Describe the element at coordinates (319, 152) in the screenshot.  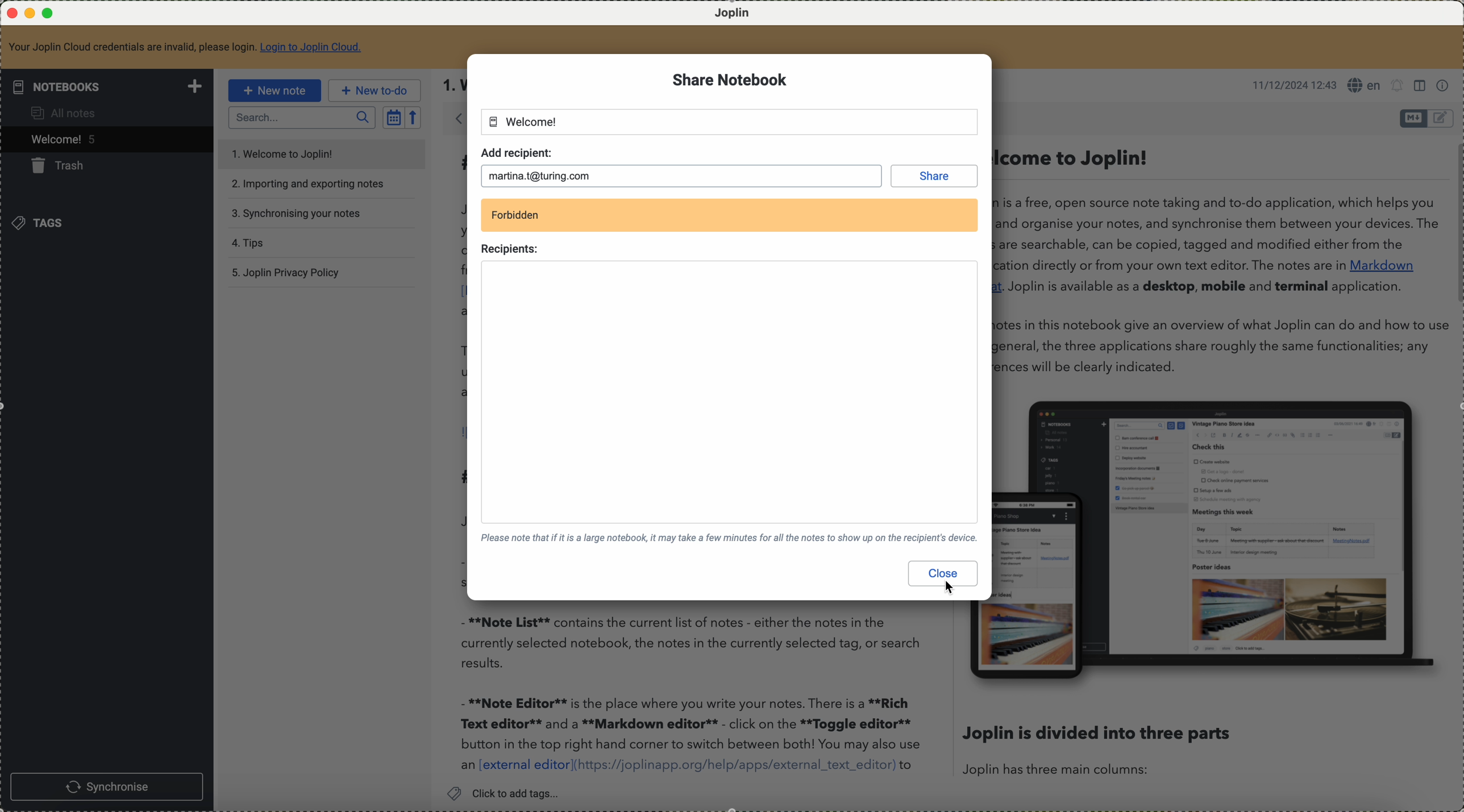
I see `welcome to Joplin note` at that location.